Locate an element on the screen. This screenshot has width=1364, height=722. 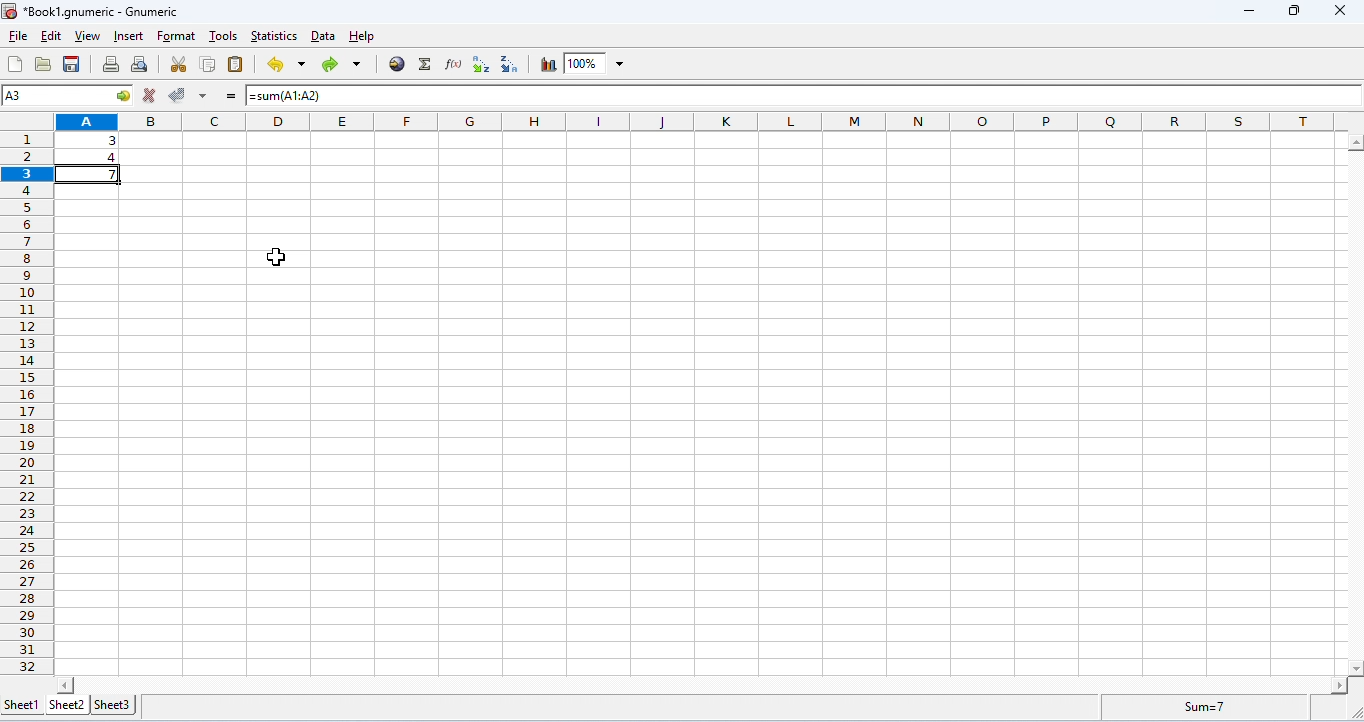
insert hyperlink is located at coordinates (396, 65).